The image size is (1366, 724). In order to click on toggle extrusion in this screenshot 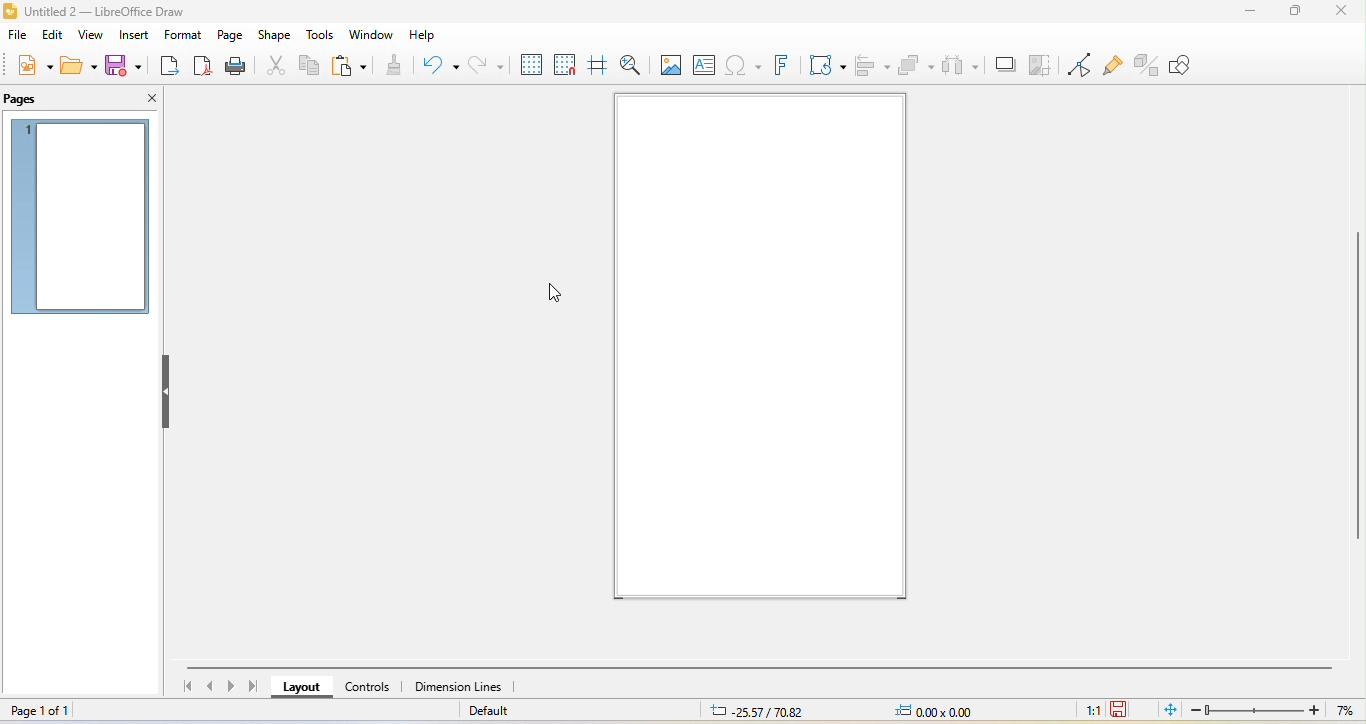, I will do `click(1147, 63)`.